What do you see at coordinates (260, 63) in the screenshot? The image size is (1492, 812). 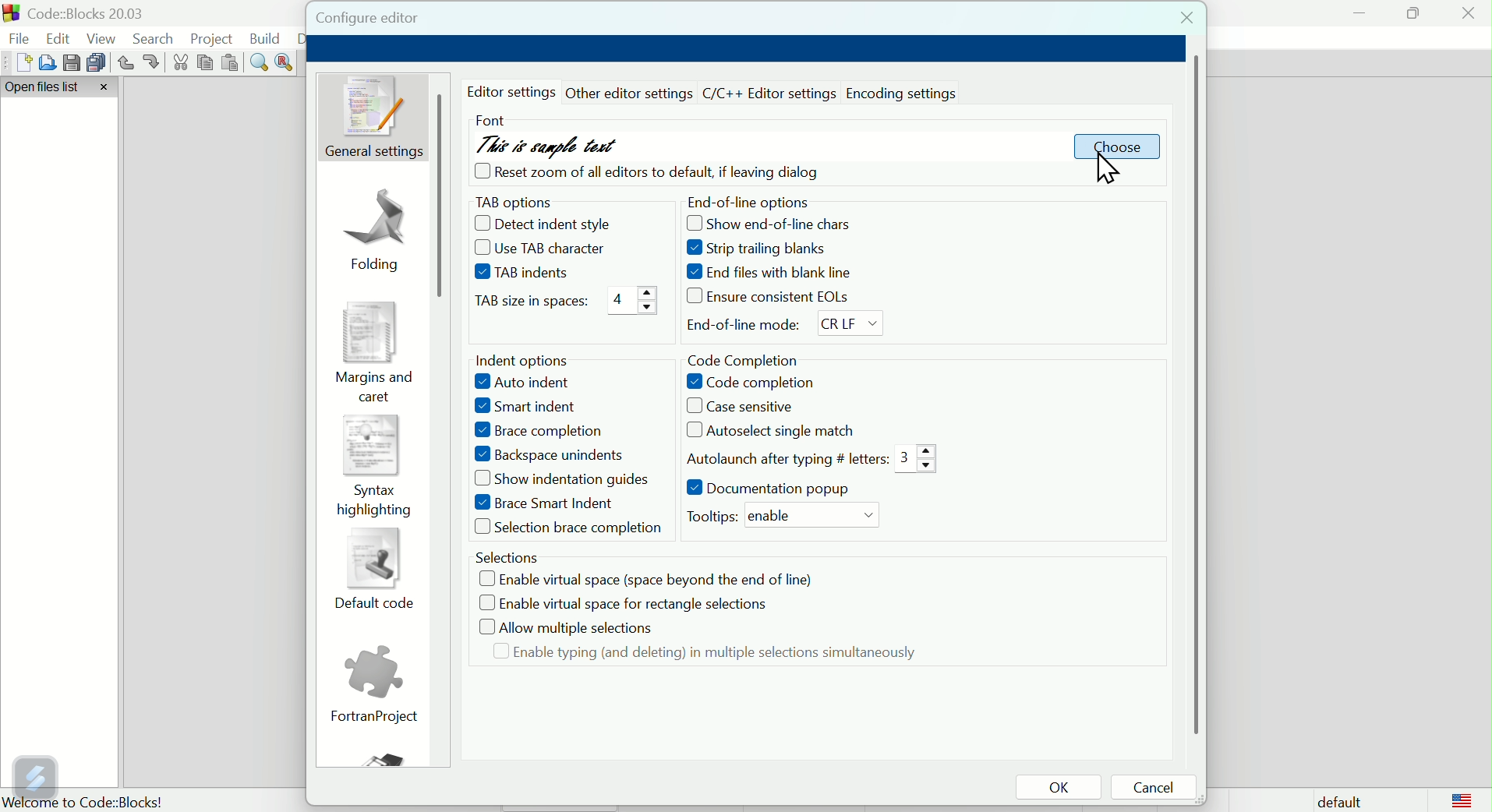 I see `Find` at bounding box center [260, 63].